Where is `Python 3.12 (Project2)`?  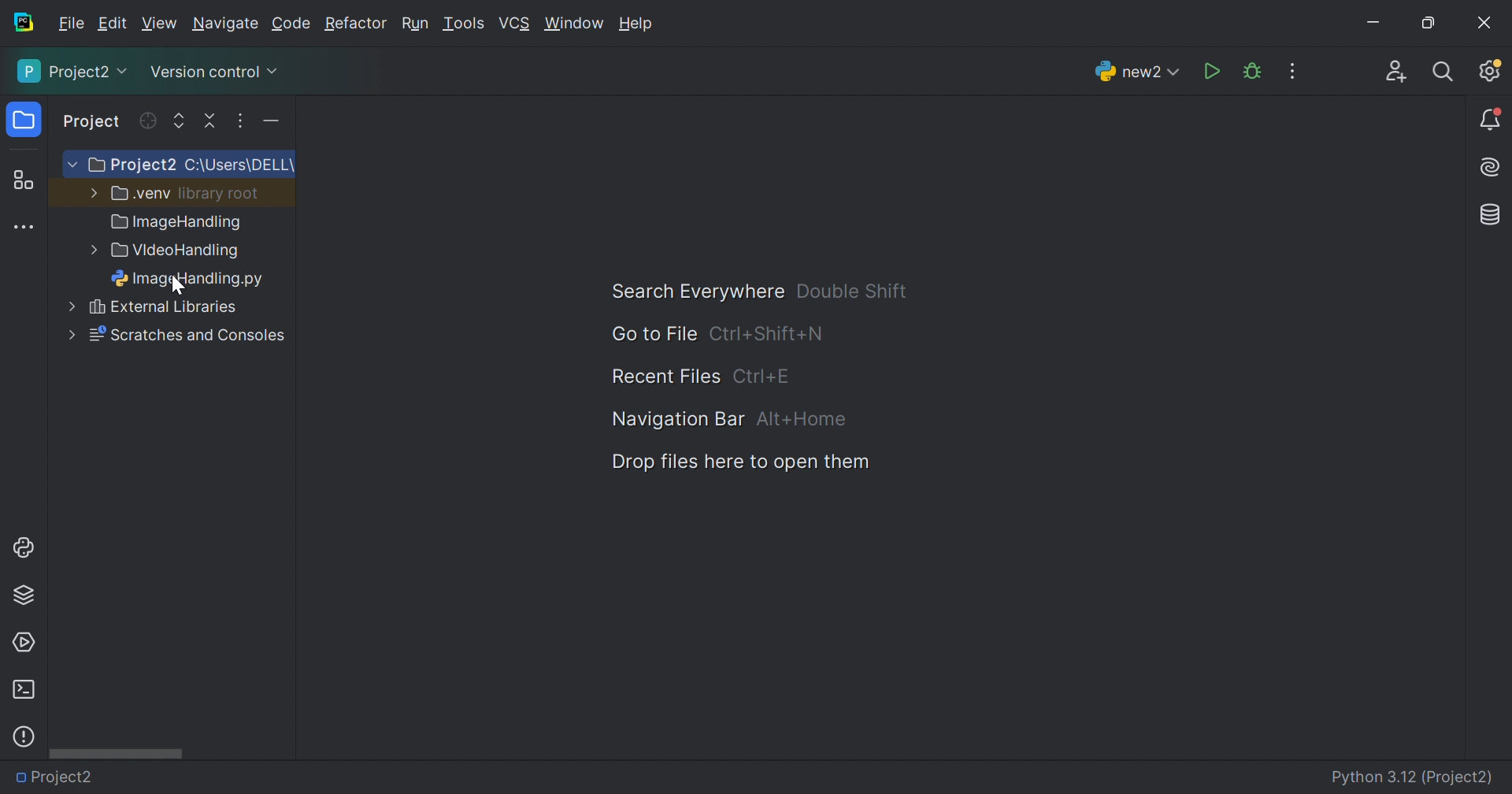
Python 3.12 (Project2) is located at coordinates (1414, 778).